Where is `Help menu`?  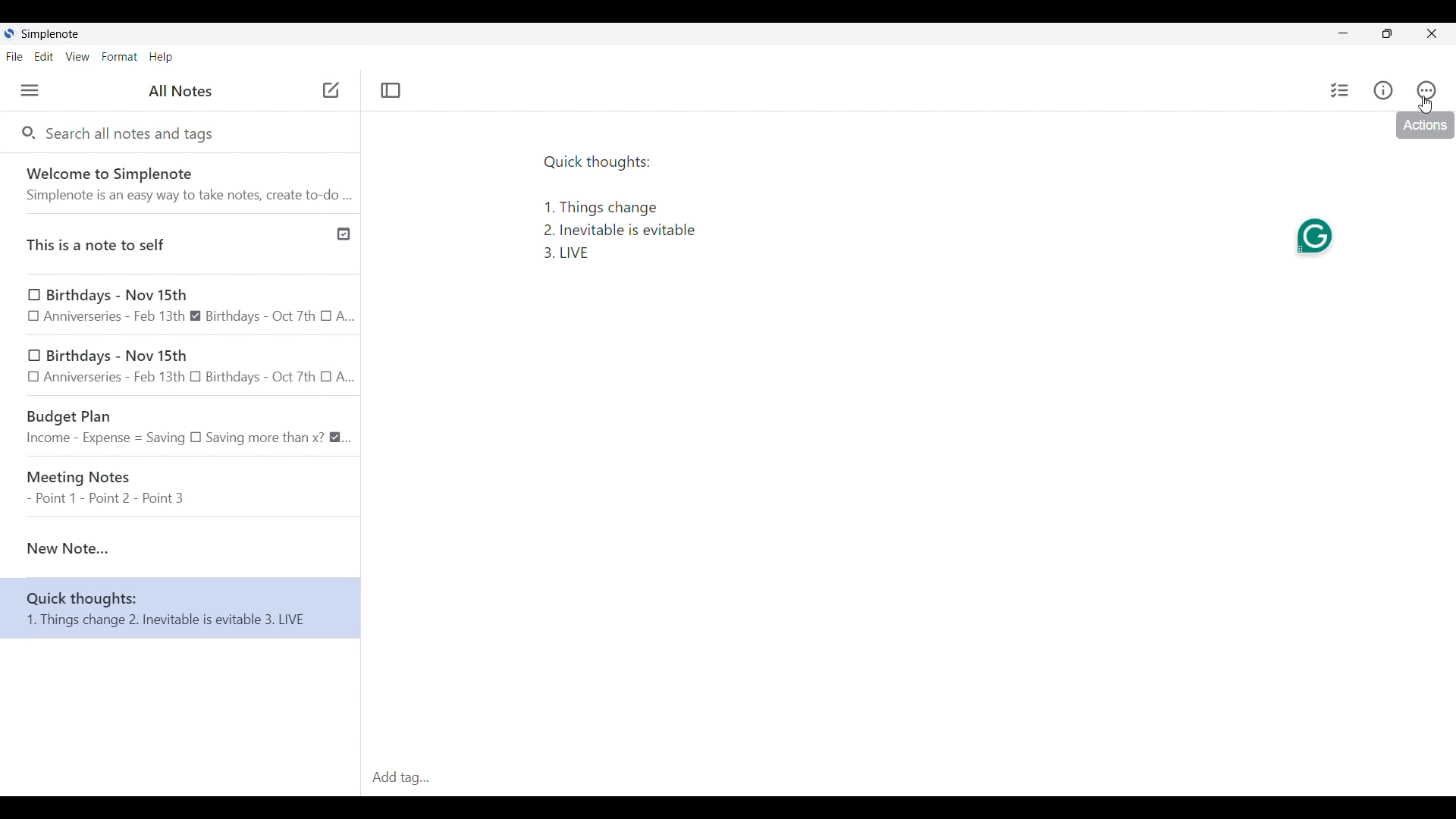 Help menu is located at coordinates (162, 58).